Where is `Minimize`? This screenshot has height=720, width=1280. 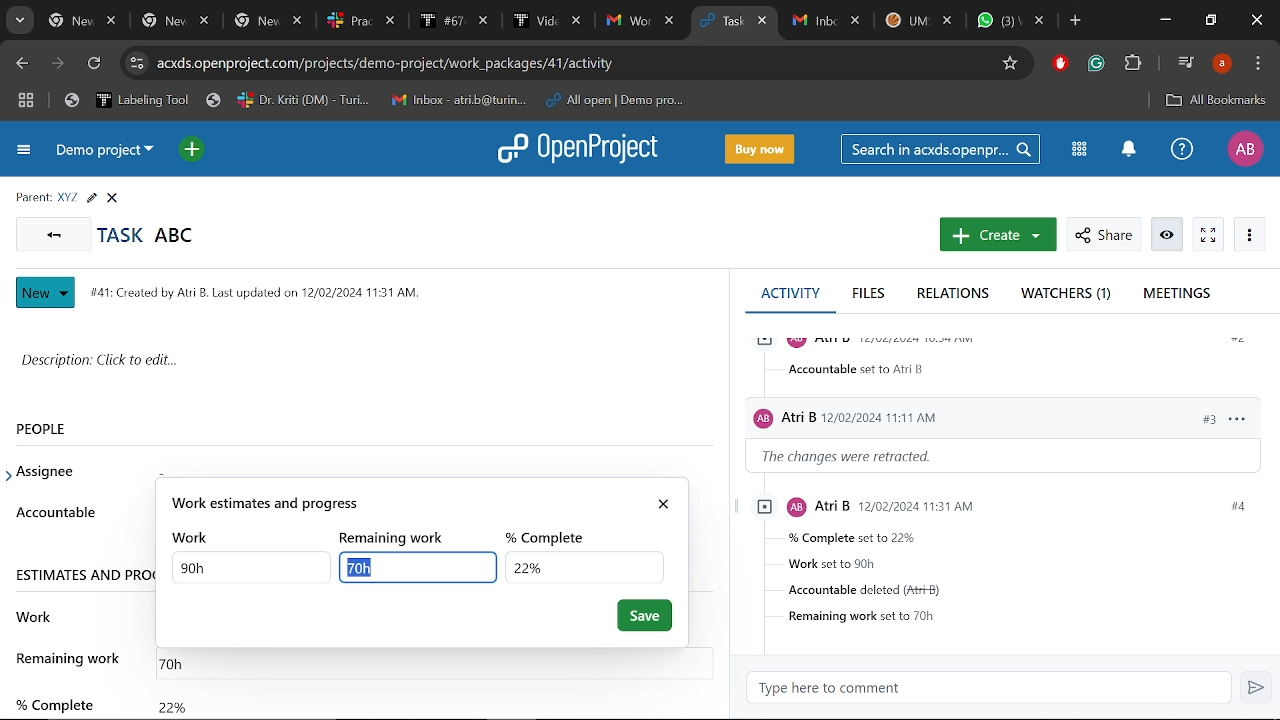
Minimize is located at coordinates (1164, 22).